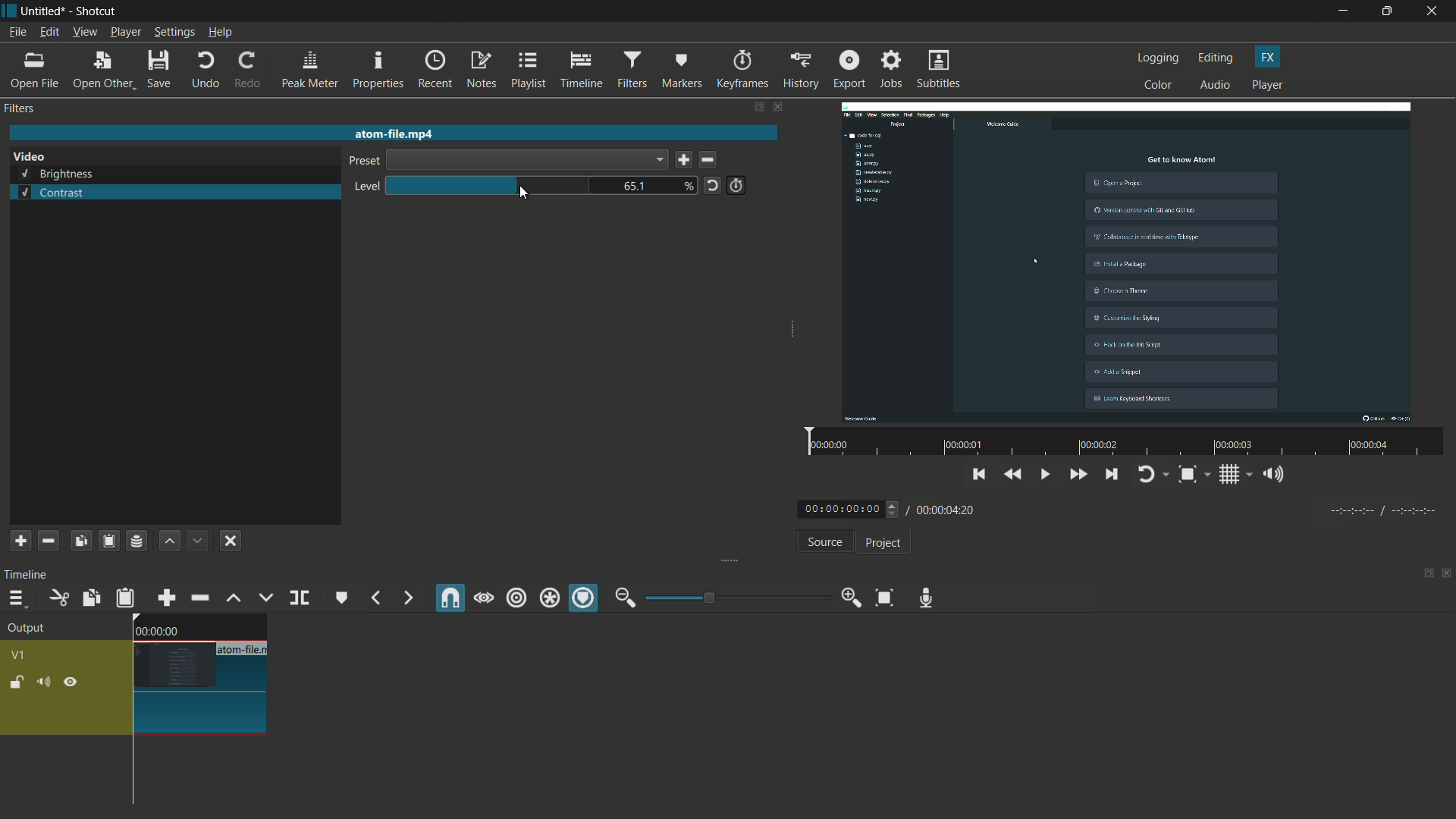 The width and height of the screenshot is (1456, 819). What do you see at coordinates (58, 174) in the screenshot?
I see `brightness` at bounding box center [58, 174].